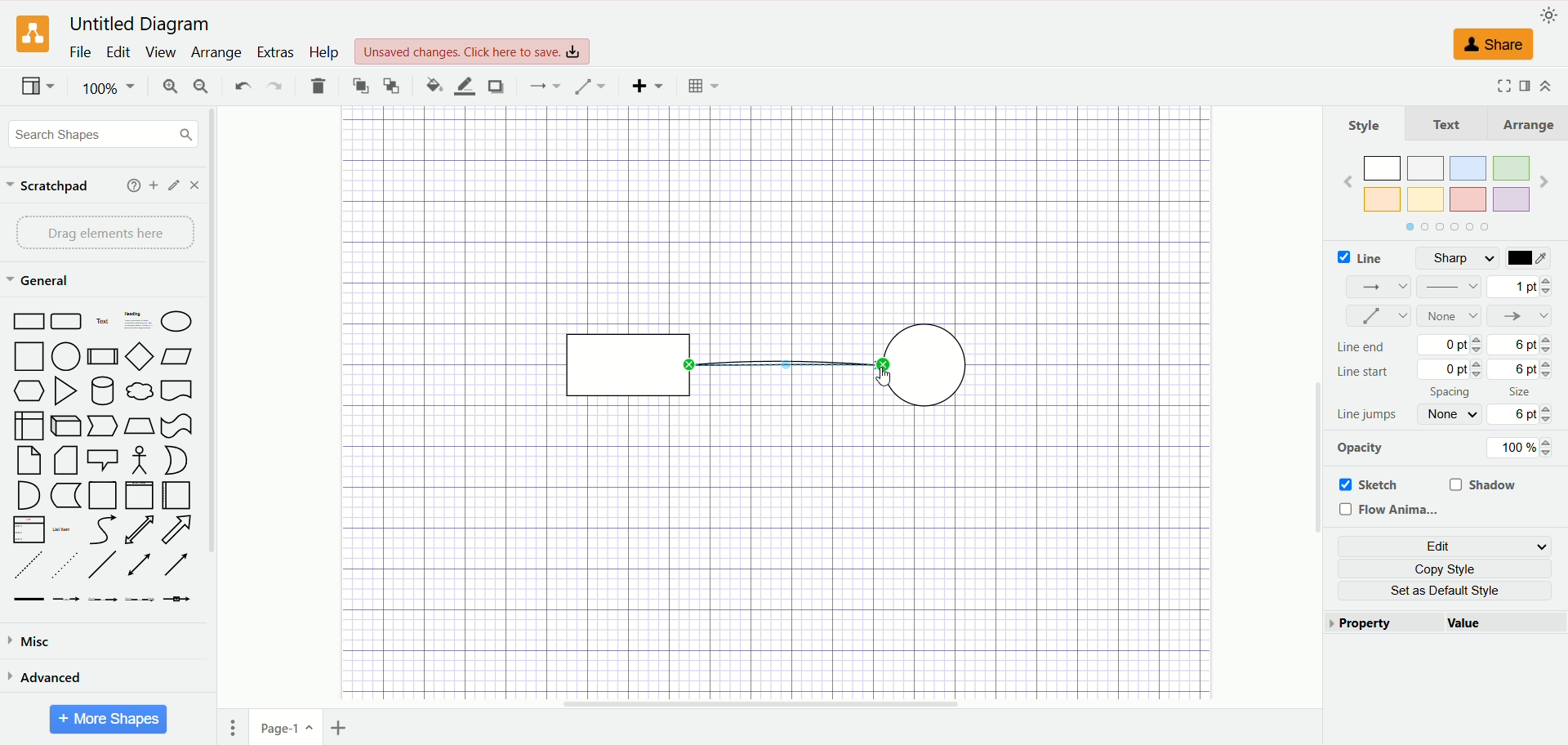  Describe the element at coordinates (29, 358) in the screenshot. I see `Square` at that location.